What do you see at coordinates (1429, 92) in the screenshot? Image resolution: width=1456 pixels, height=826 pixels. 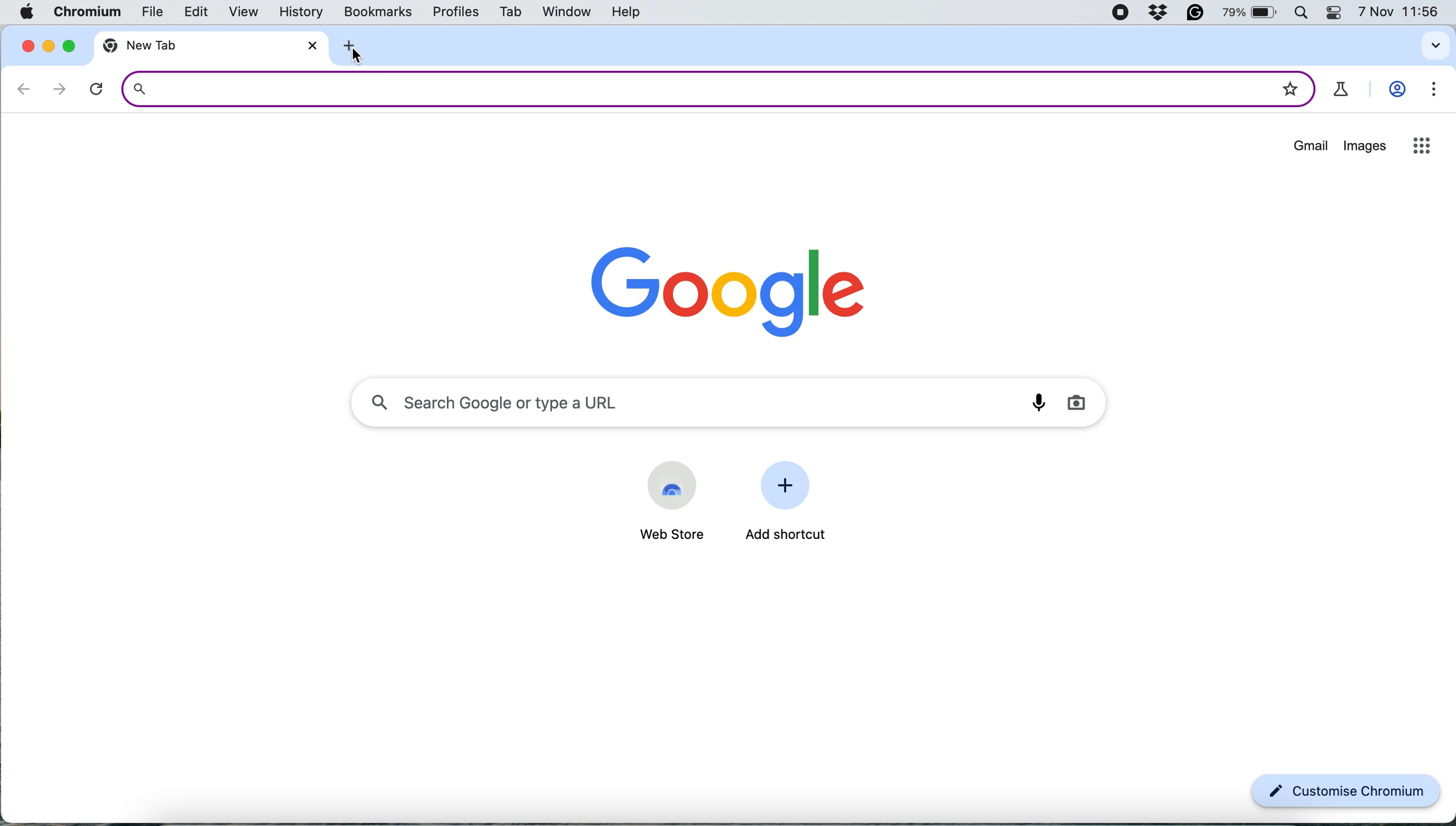 I see `settings` at bounding box center [1429, 92].